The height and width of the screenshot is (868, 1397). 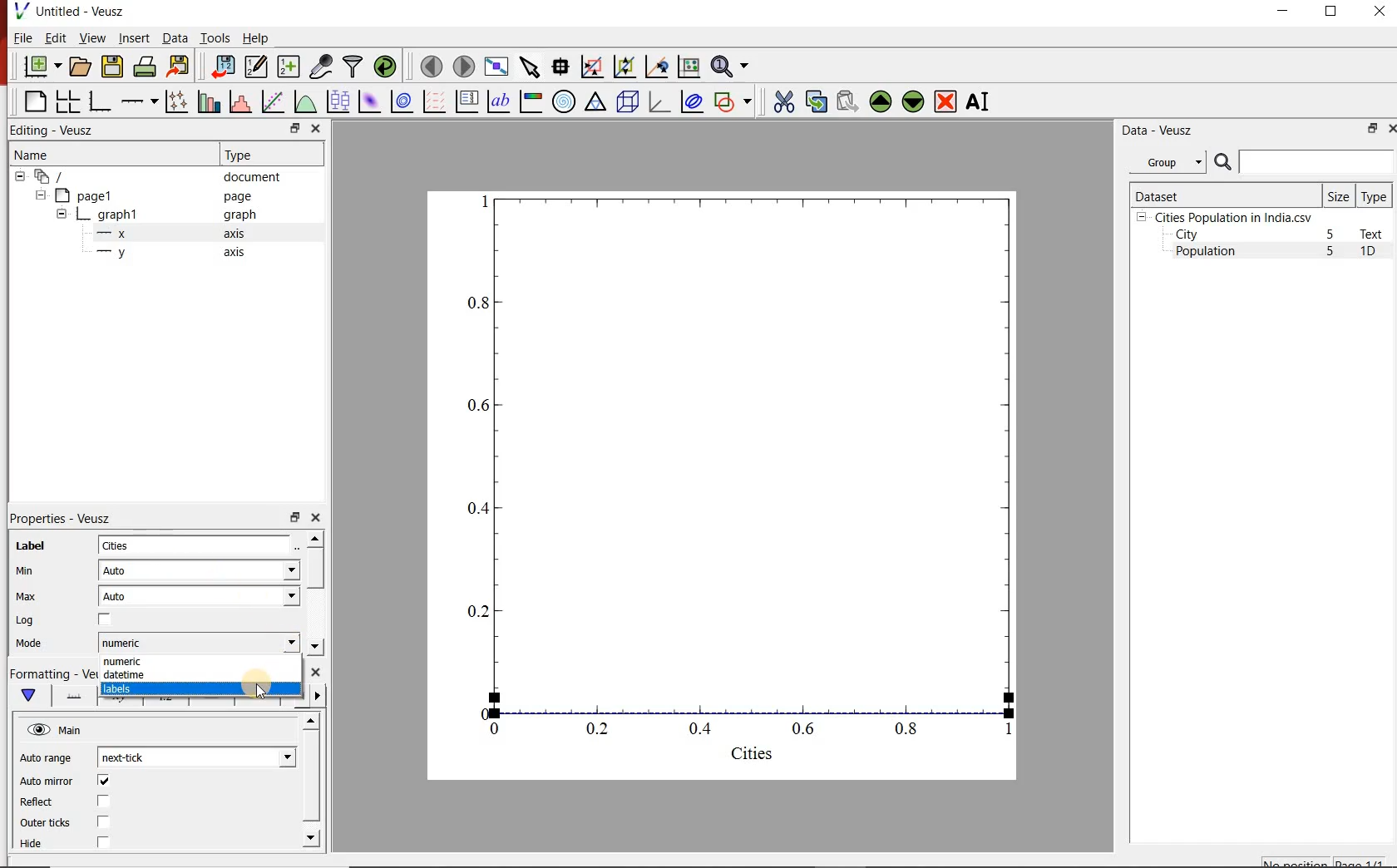 I want to click on base graph, so click(x=98, y=101).